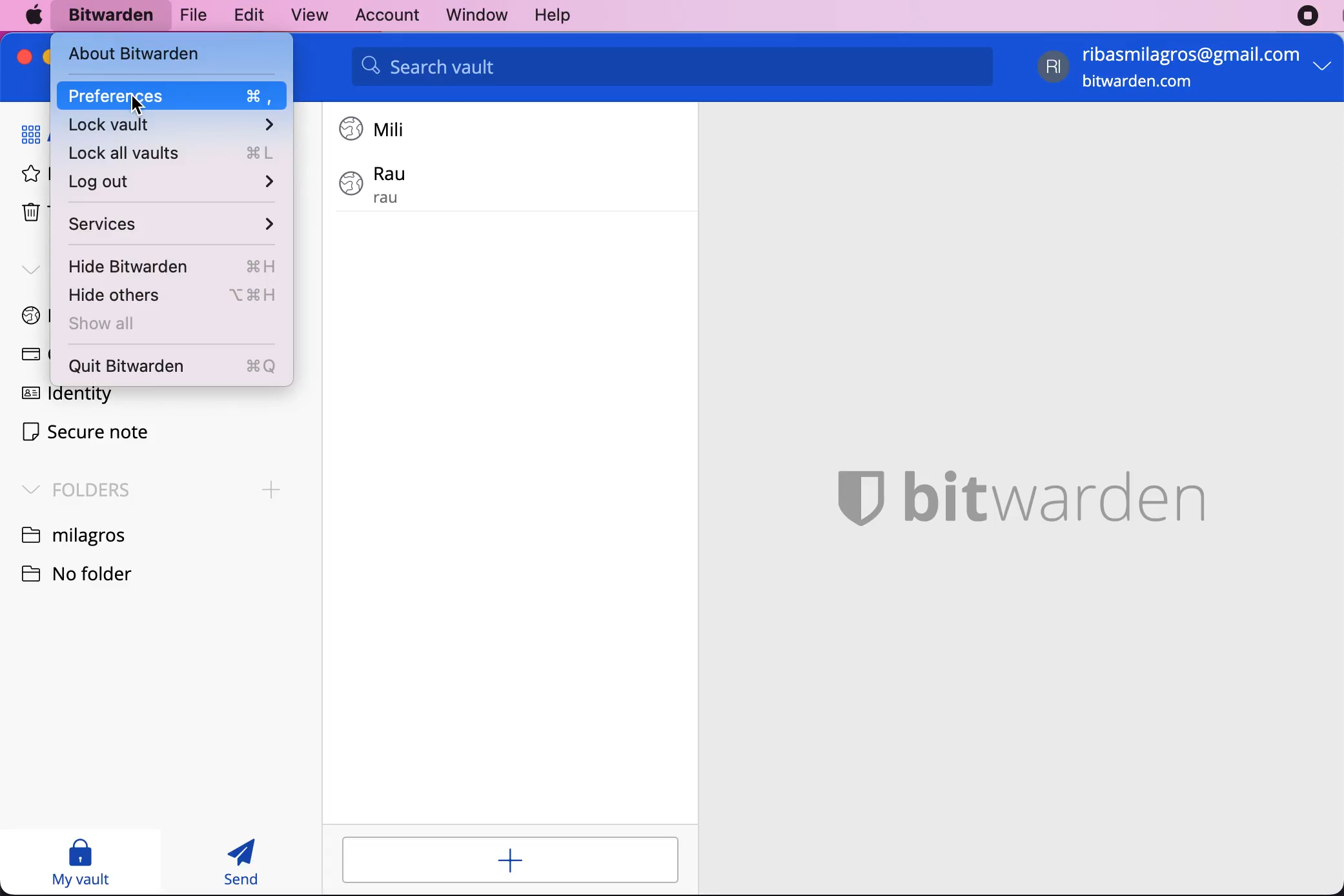 Image resolution: width=1344 pixels, height=896 pixels. Describe the element at coordinates (172, 95) in the screenshot. I see `Cursor on preferences` at that location.